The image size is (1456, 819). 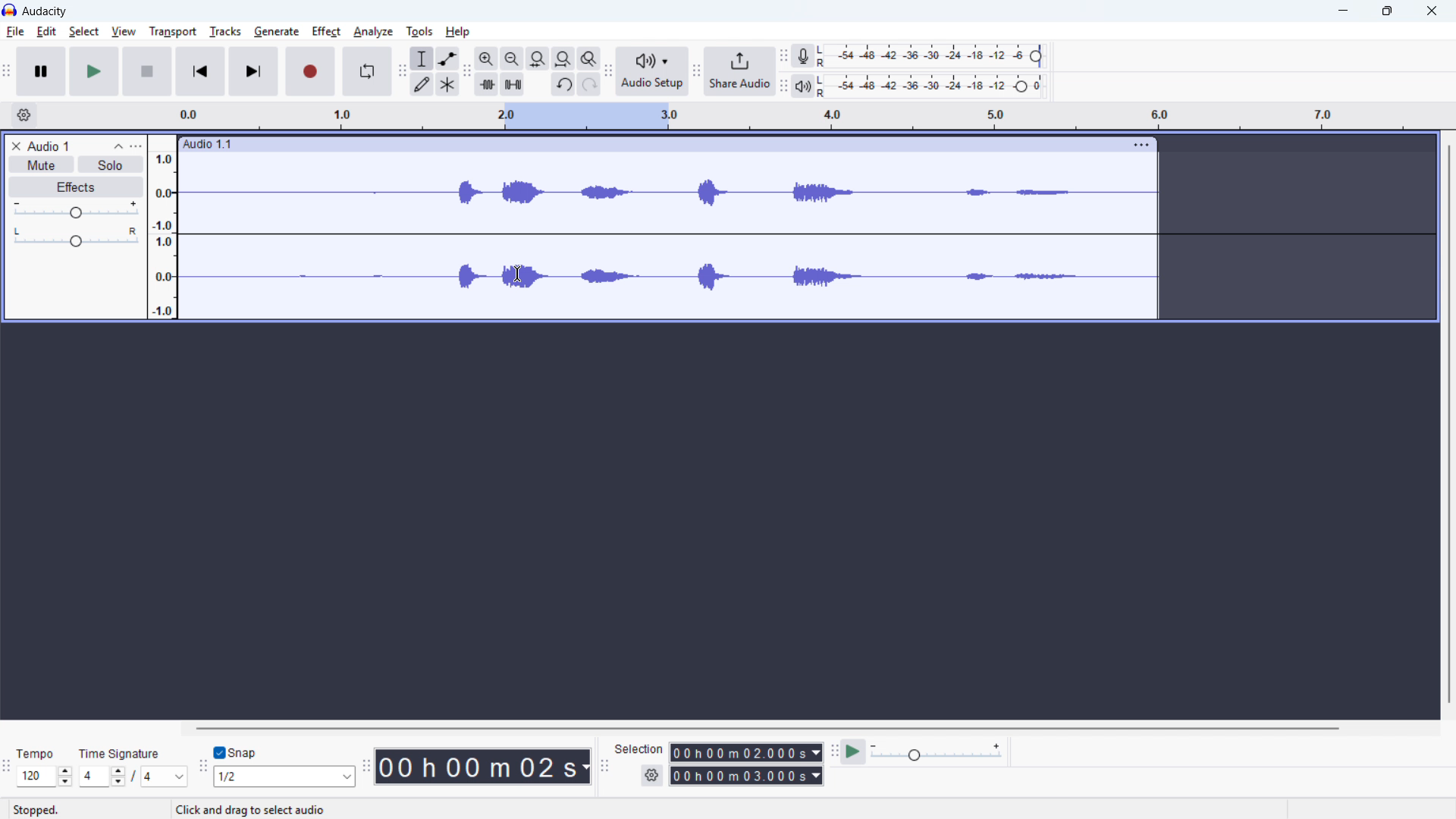 What do you see at coordinates (833, 752) in the screenshot?
I see `Play at speed toolbar` at bounding box center [833, 752].